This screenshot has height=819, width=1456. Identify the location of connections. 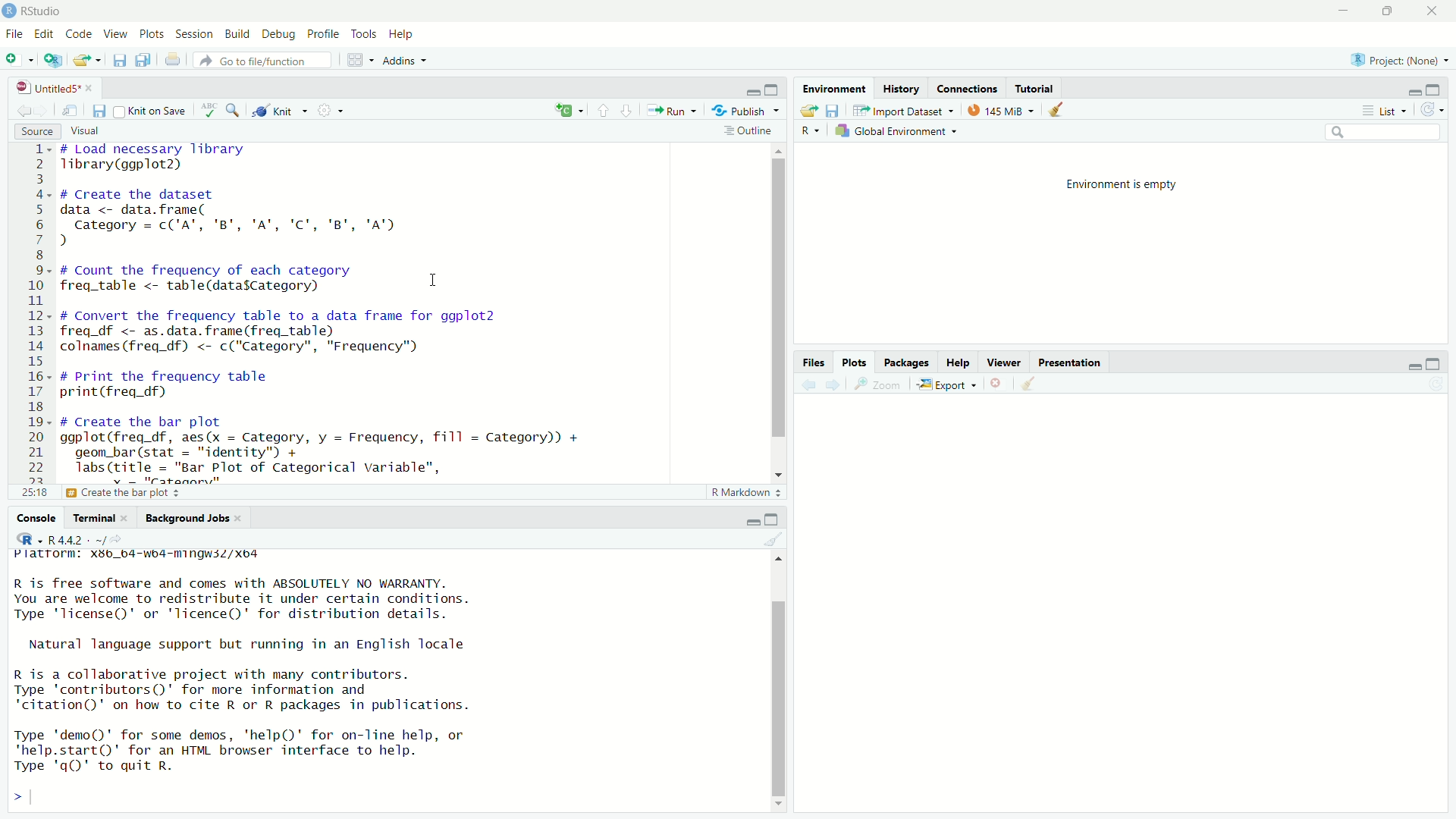
(968, 89).